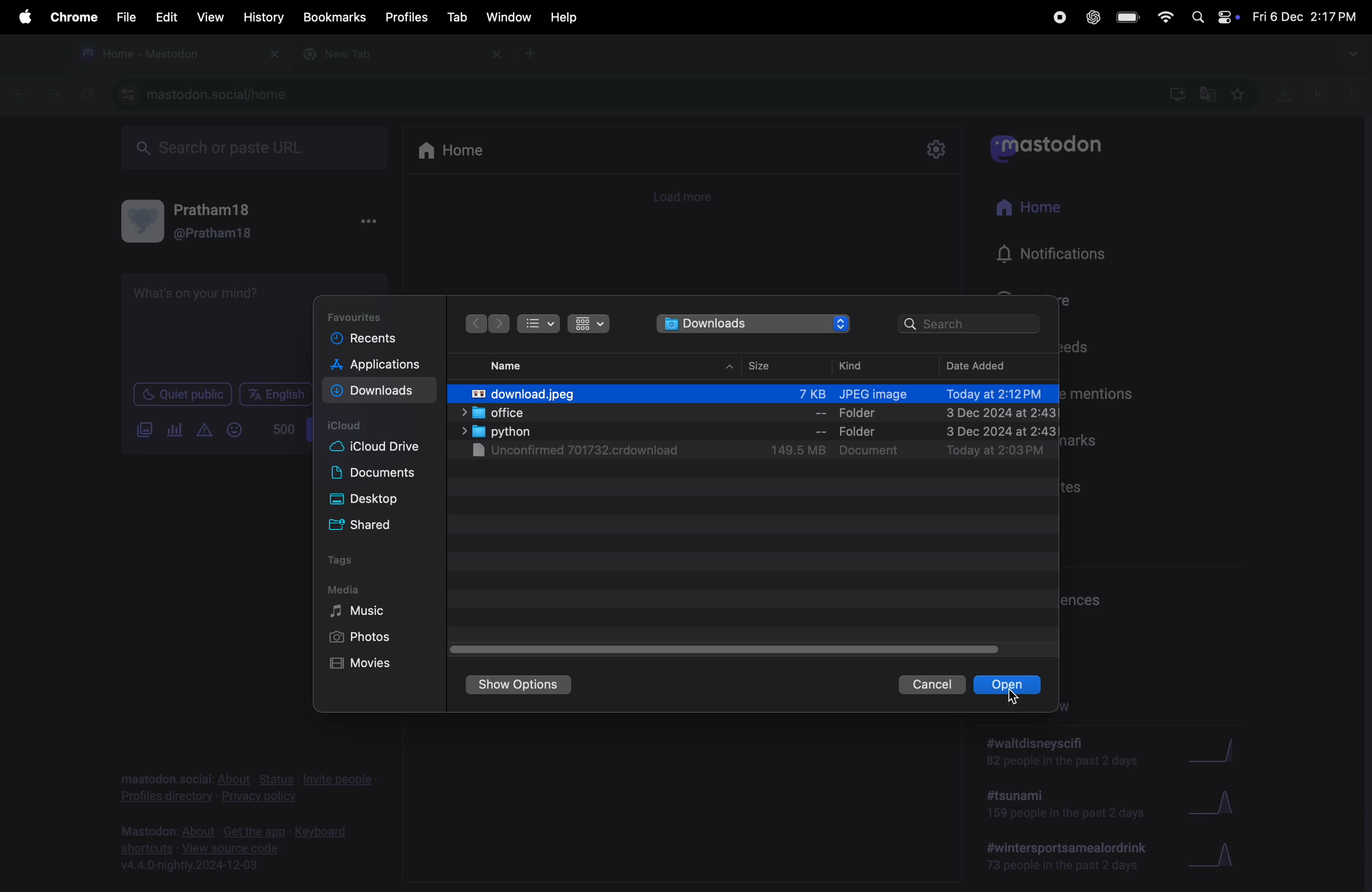 The width and height of the screenshot is (1372, 892). What do you see at coordinates (754, 324) in the screenshot?
I see `downloads` at bounding box center [754, 324].